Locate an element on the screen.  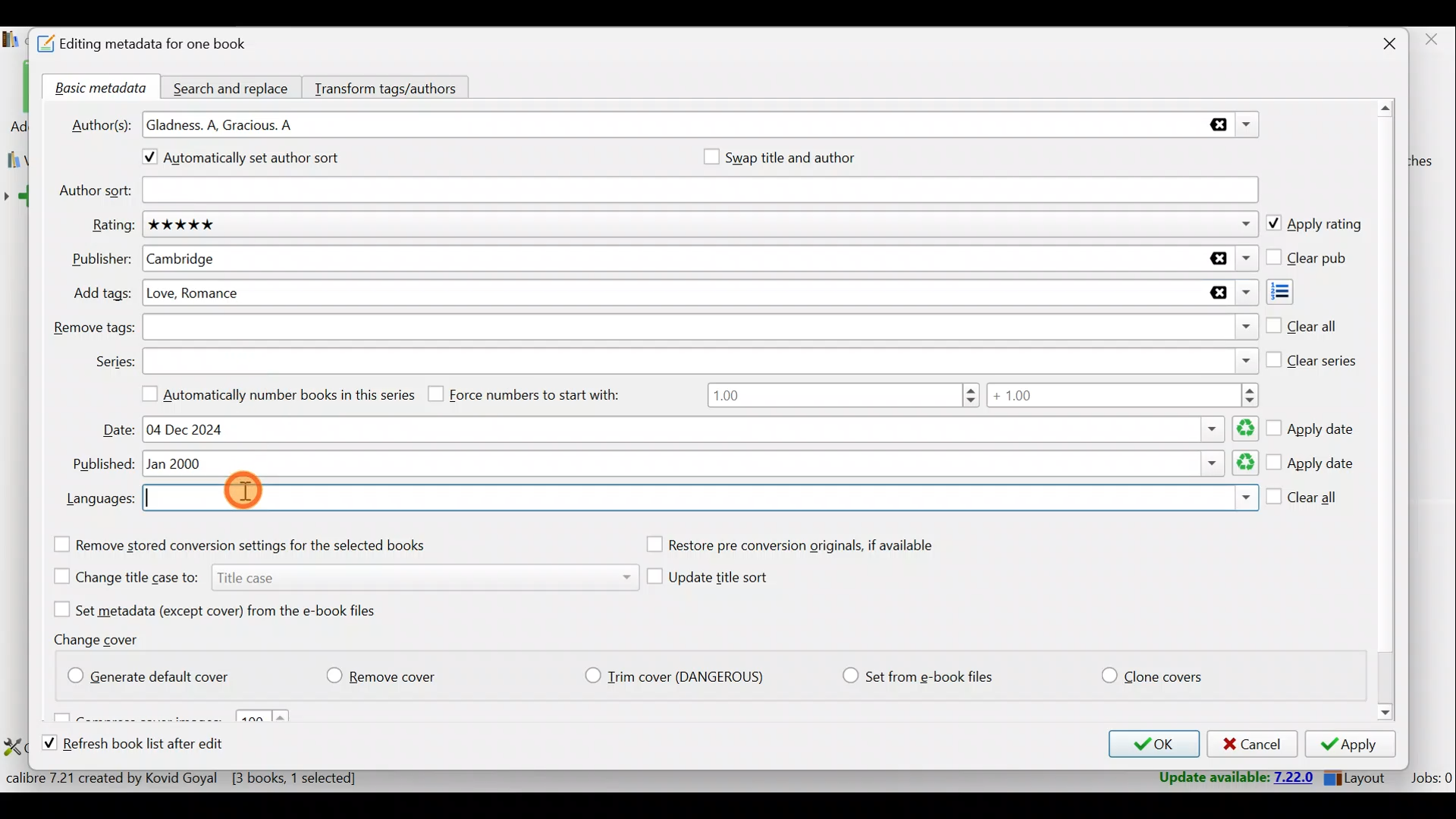
Swap title and author is located at coordinates (808, 157).